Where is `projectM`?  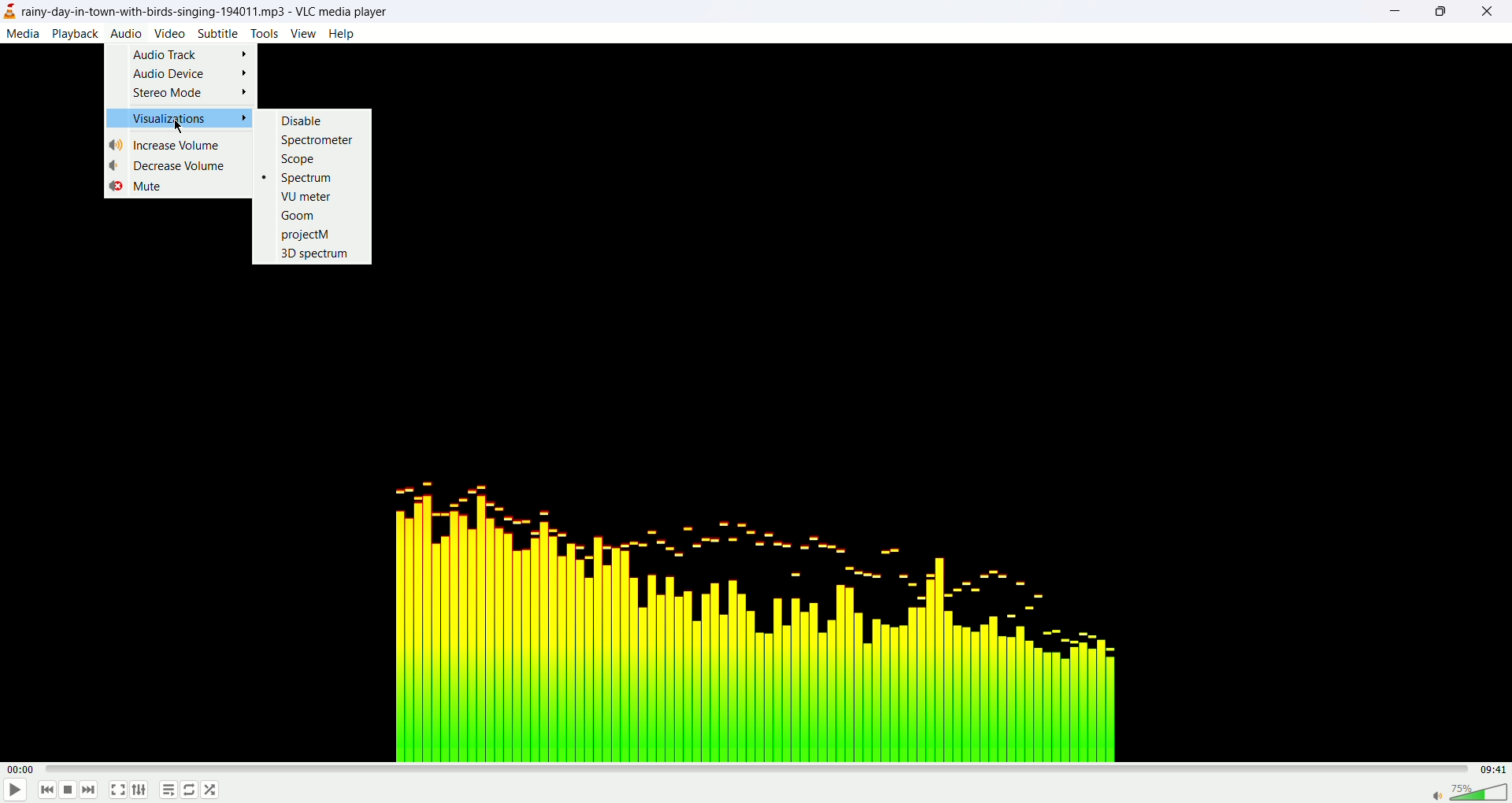 projectM is located at coordinates (307, 236).